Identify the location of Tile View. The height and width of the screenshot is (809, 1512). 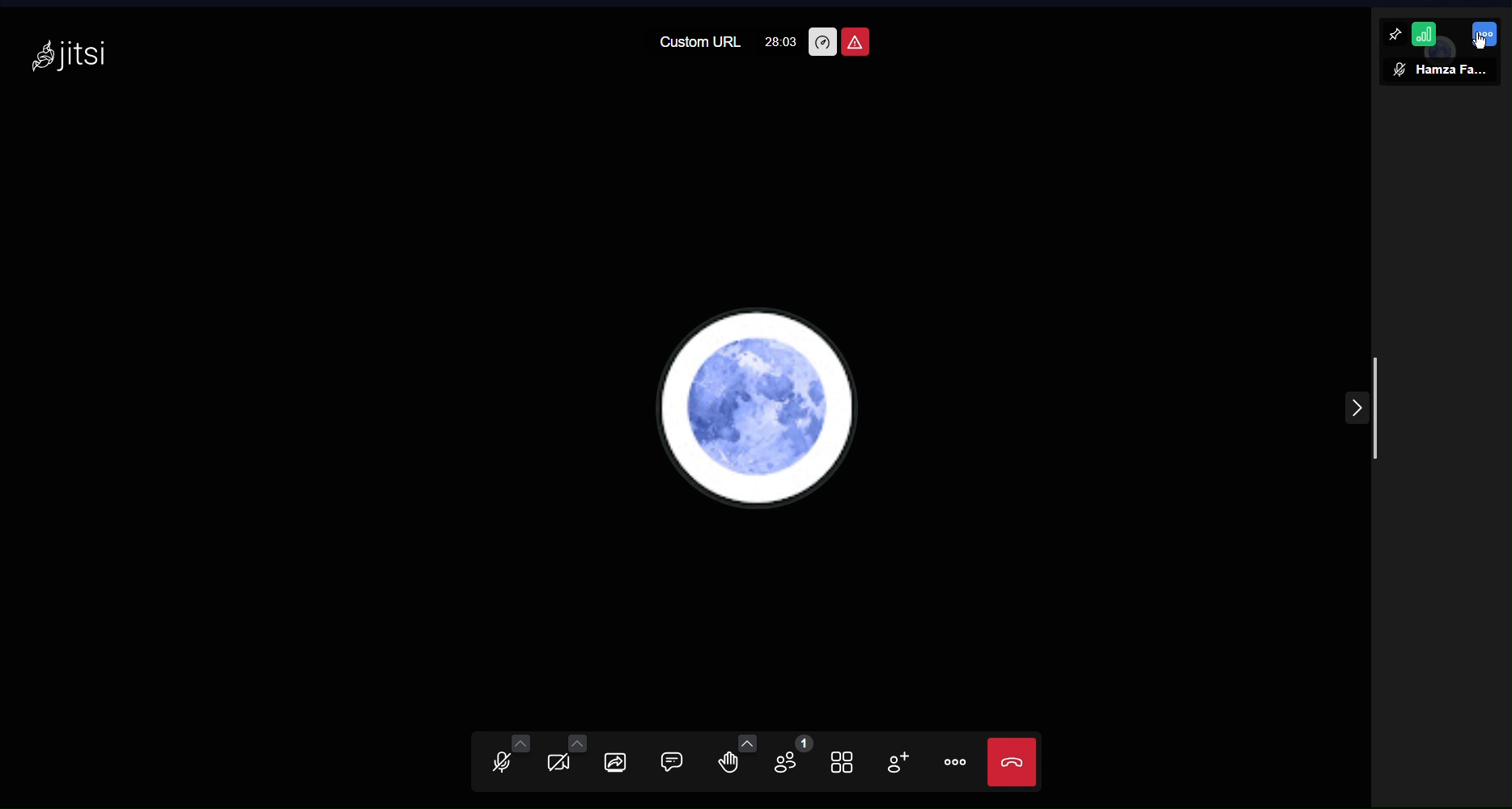
(849, 760).